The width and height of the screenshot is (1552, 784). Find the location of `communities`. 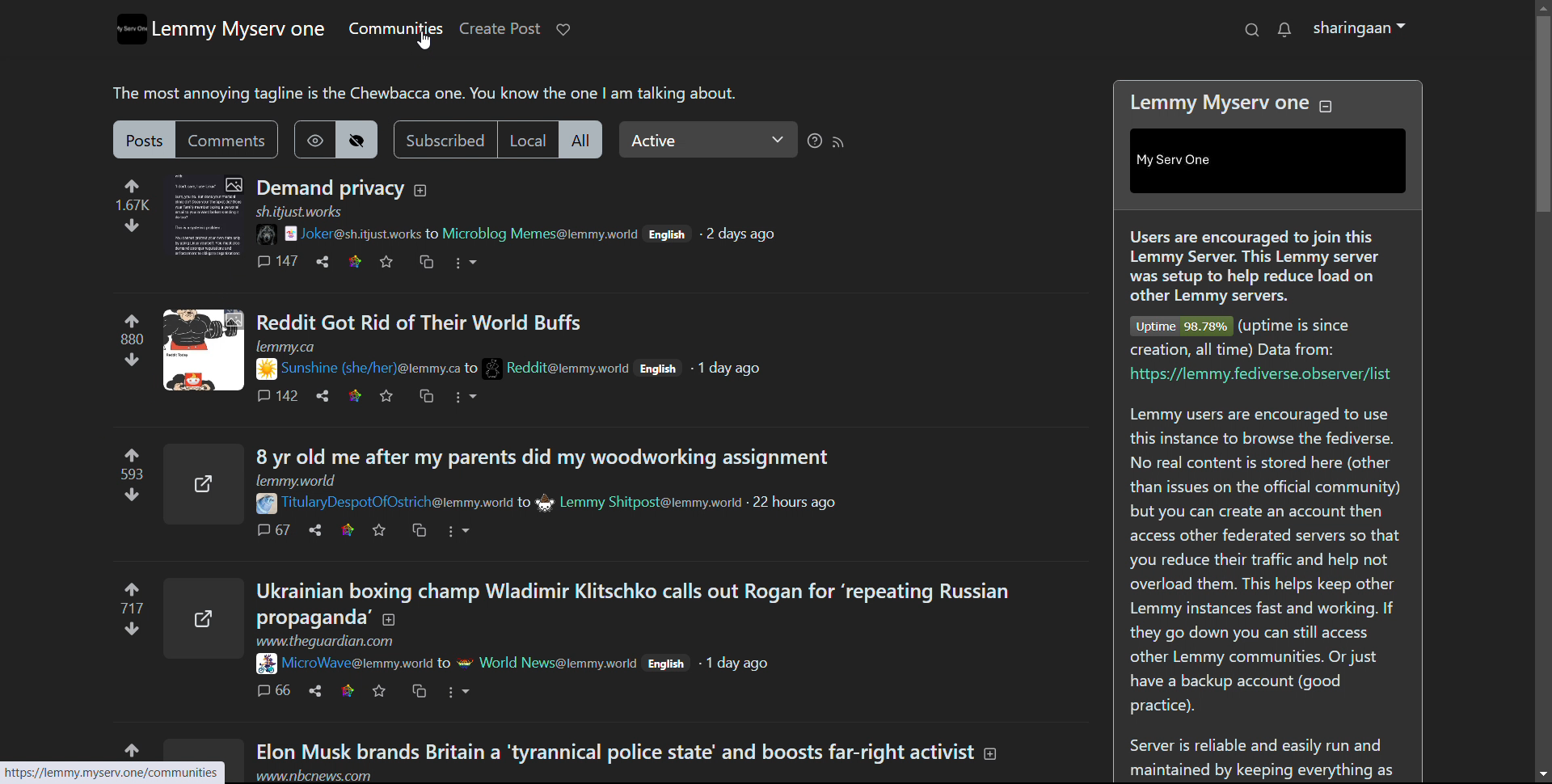

communities is located at coordinates (394, 28).